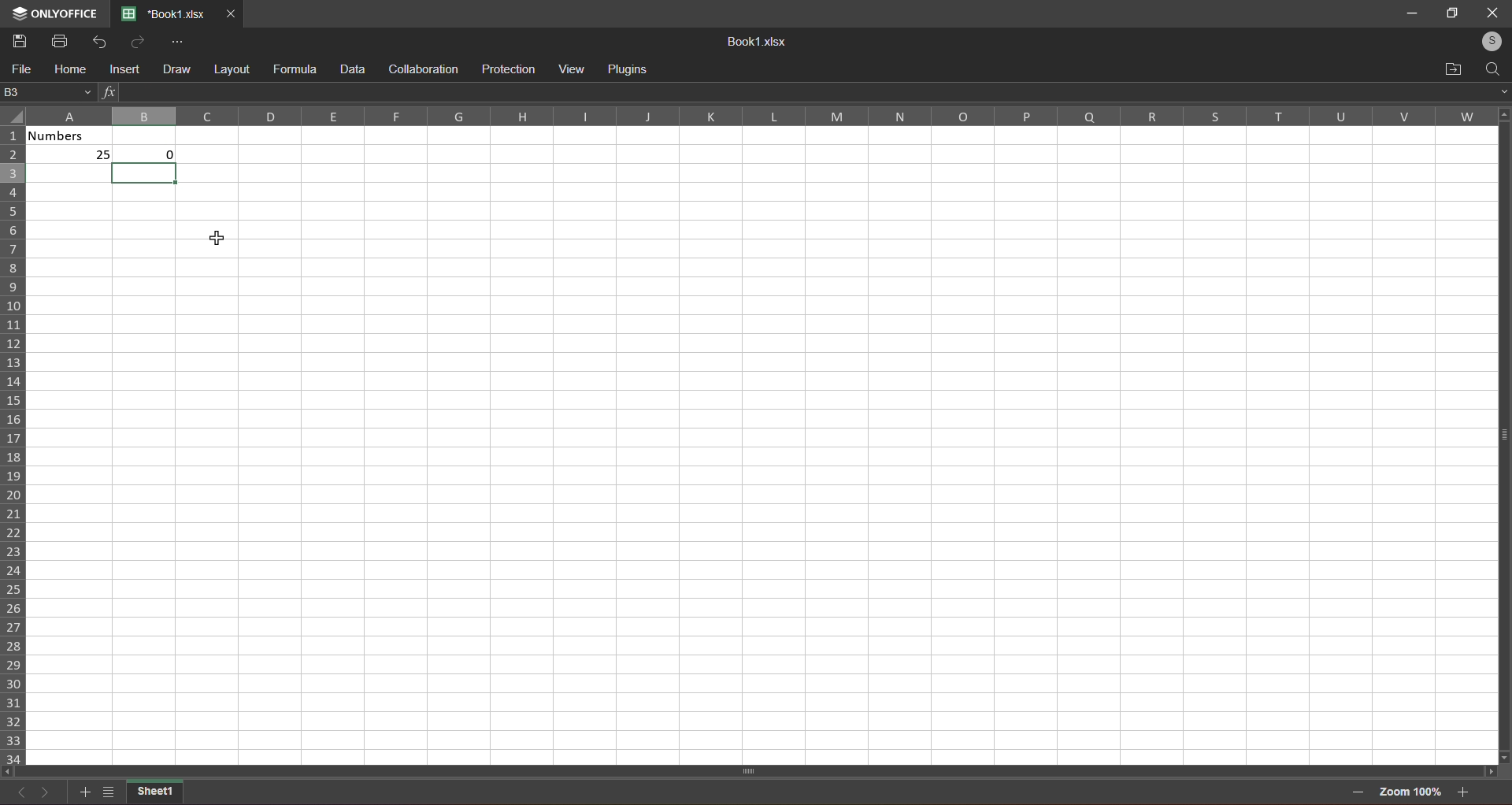 This screenshot has width=1512, height=805. I want to click on view, so click(574, 69).